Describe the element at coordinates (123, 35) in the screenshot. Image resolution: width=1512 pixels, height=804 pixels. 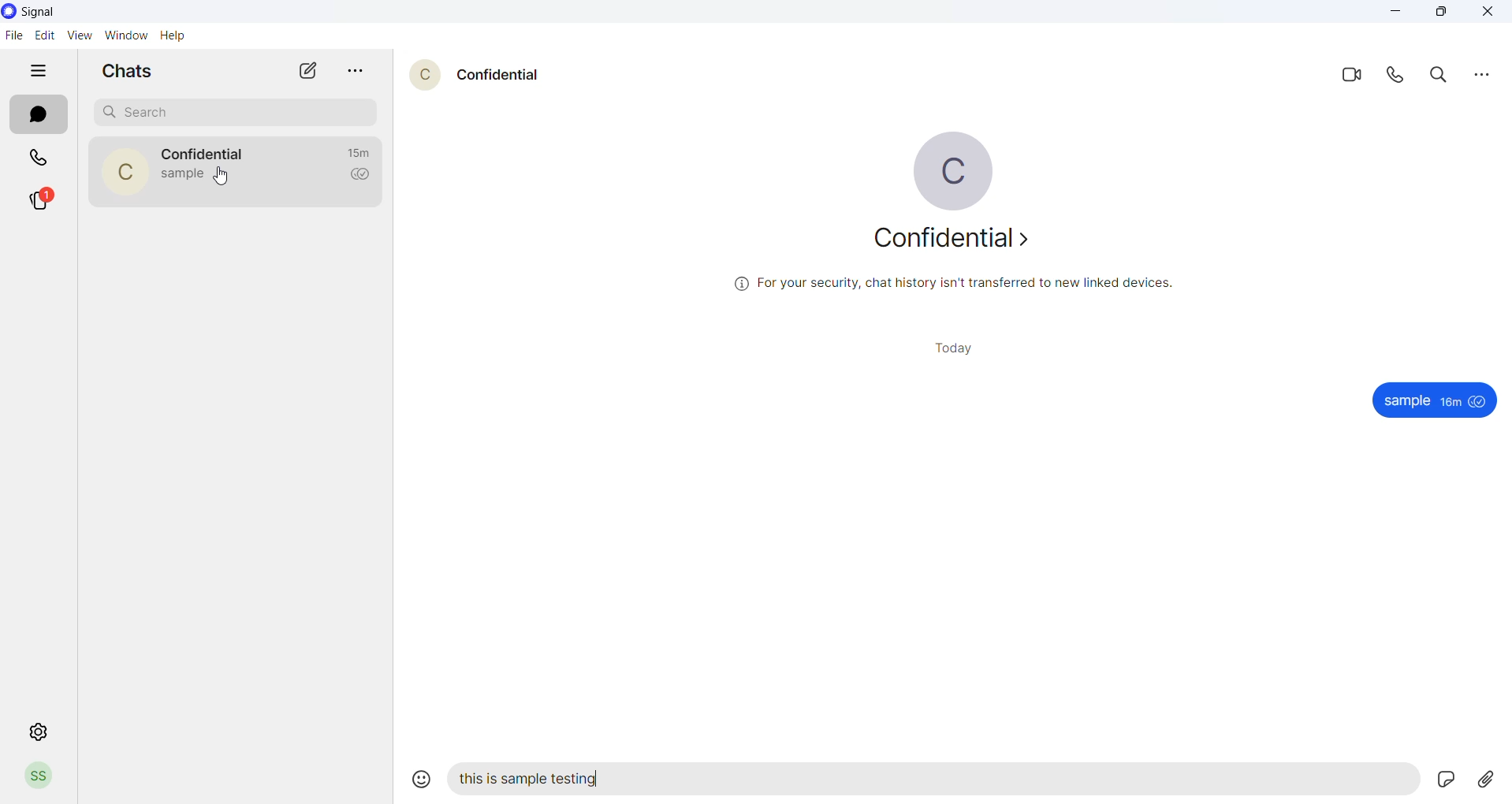
I see `window` at that location.